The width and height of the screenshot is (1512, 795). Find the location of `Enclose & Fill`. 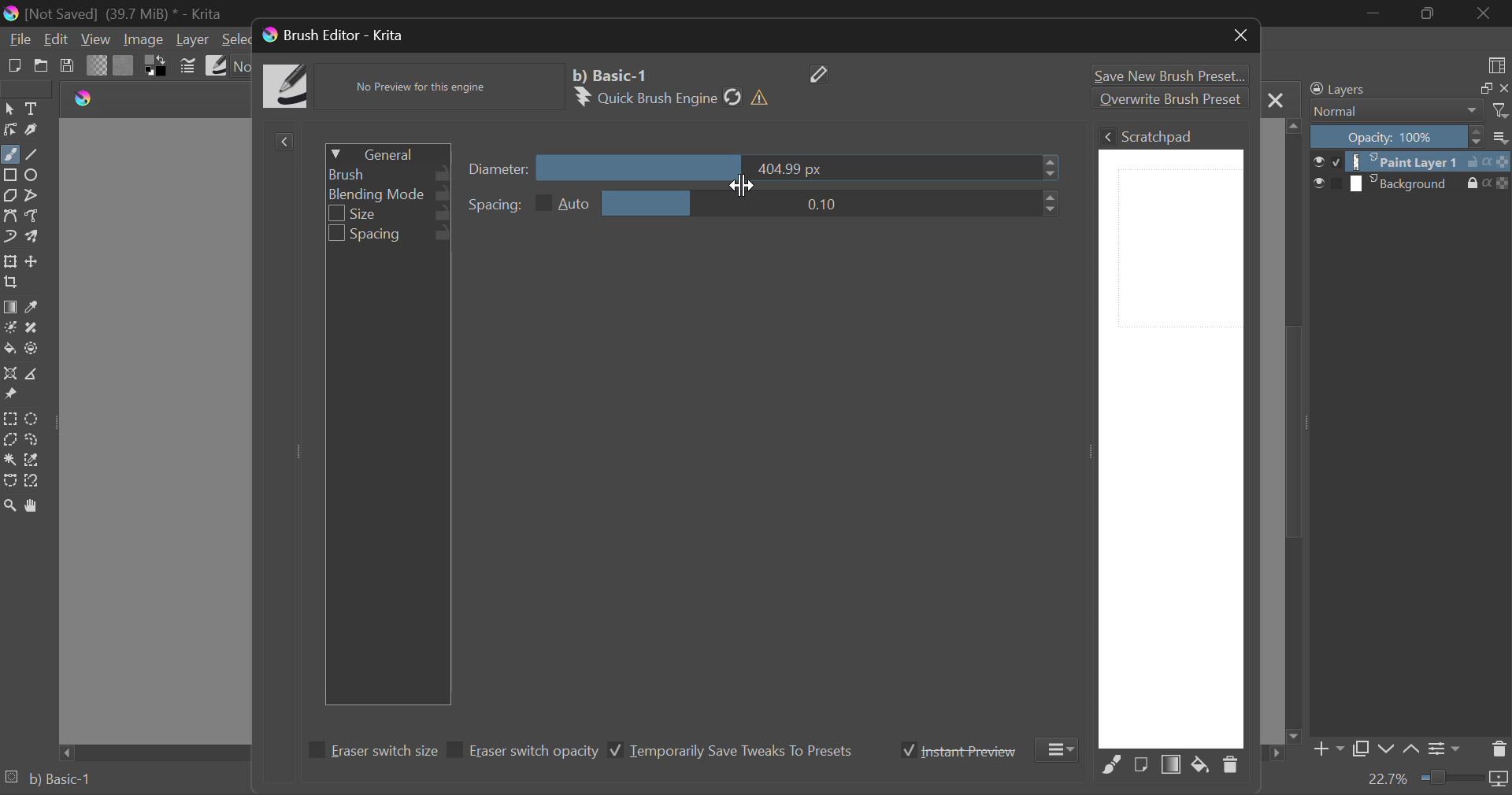

Enclose & Fill is located at coordinates (32, 348).